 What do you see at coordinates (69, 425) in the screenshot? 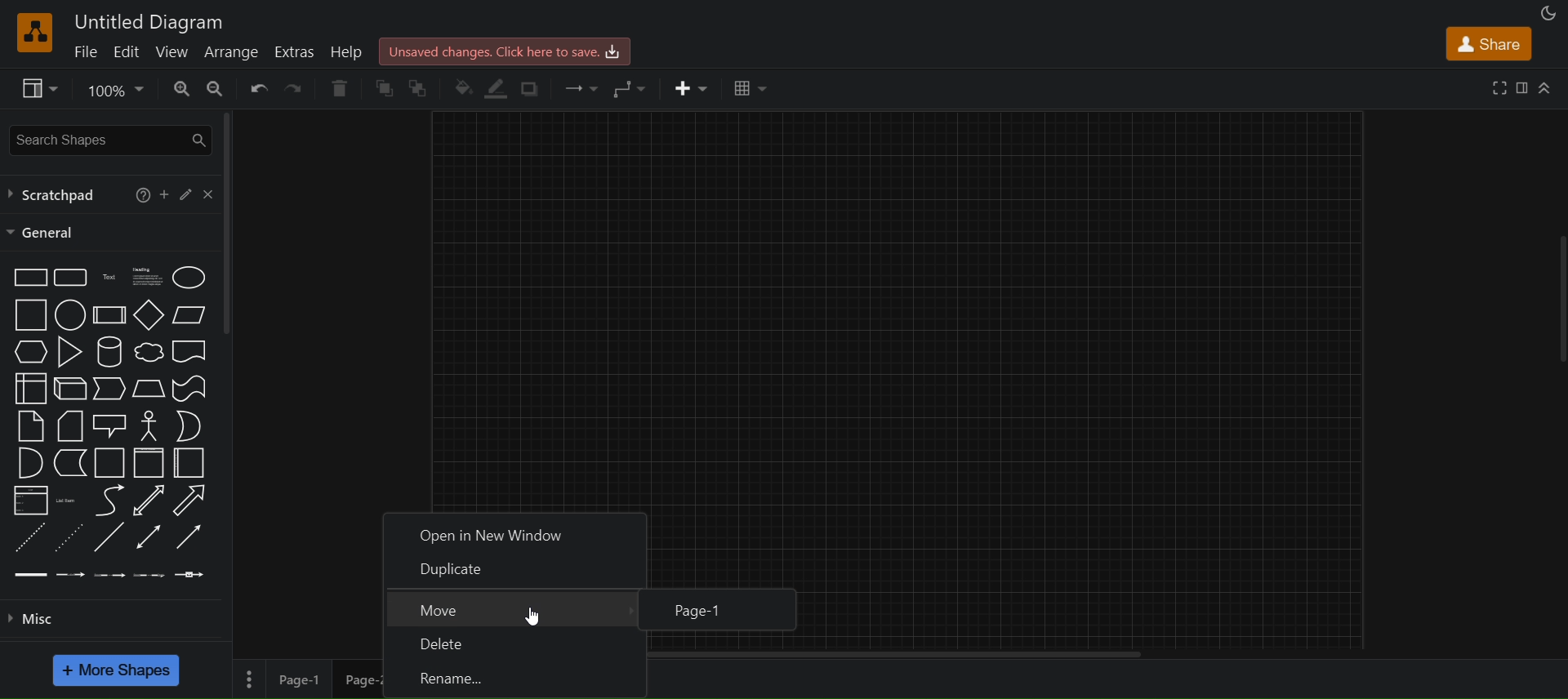
I see `card` at bounding box center [69, 425].